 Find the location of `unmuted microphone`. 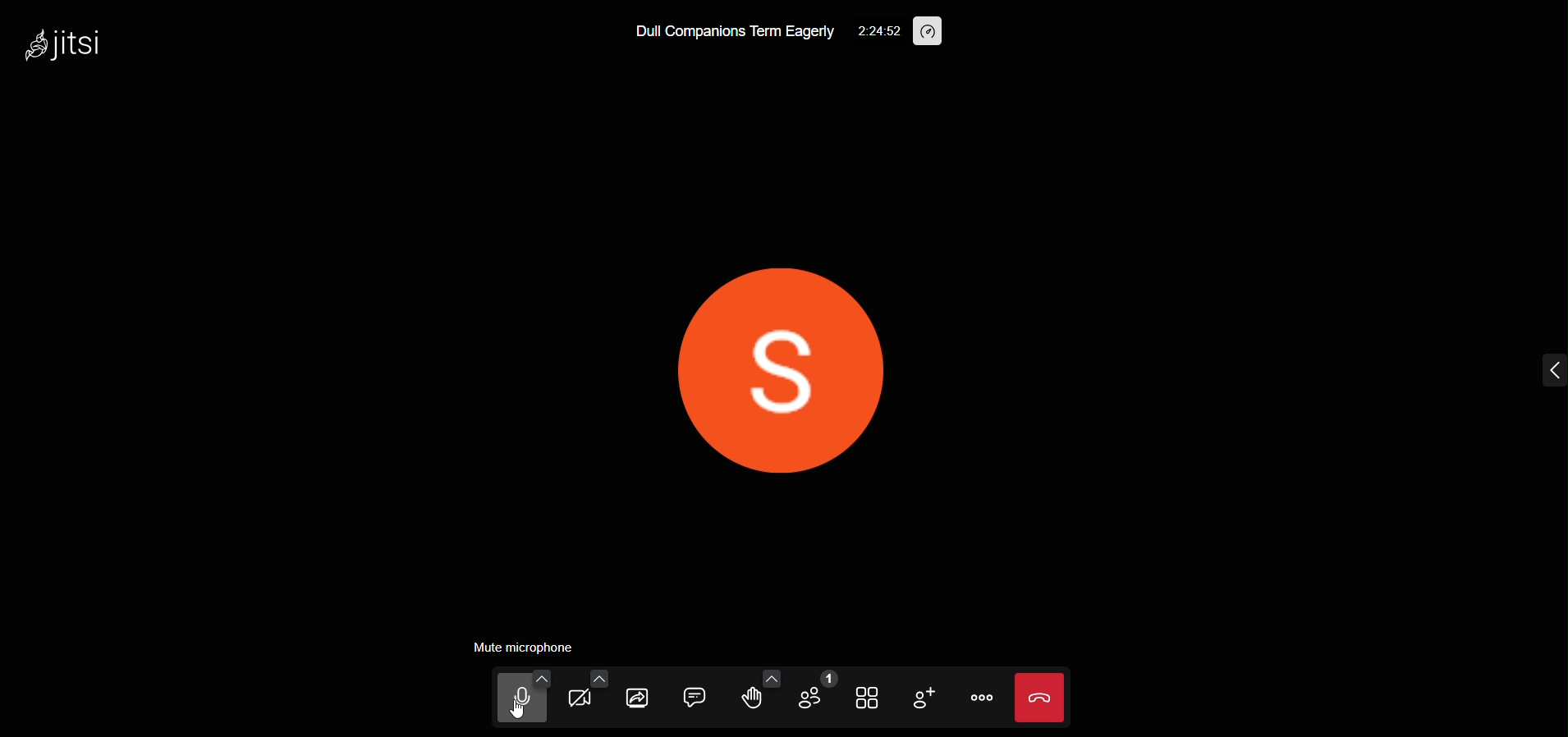

unmuted microphone is located at coordinates (526, 696).